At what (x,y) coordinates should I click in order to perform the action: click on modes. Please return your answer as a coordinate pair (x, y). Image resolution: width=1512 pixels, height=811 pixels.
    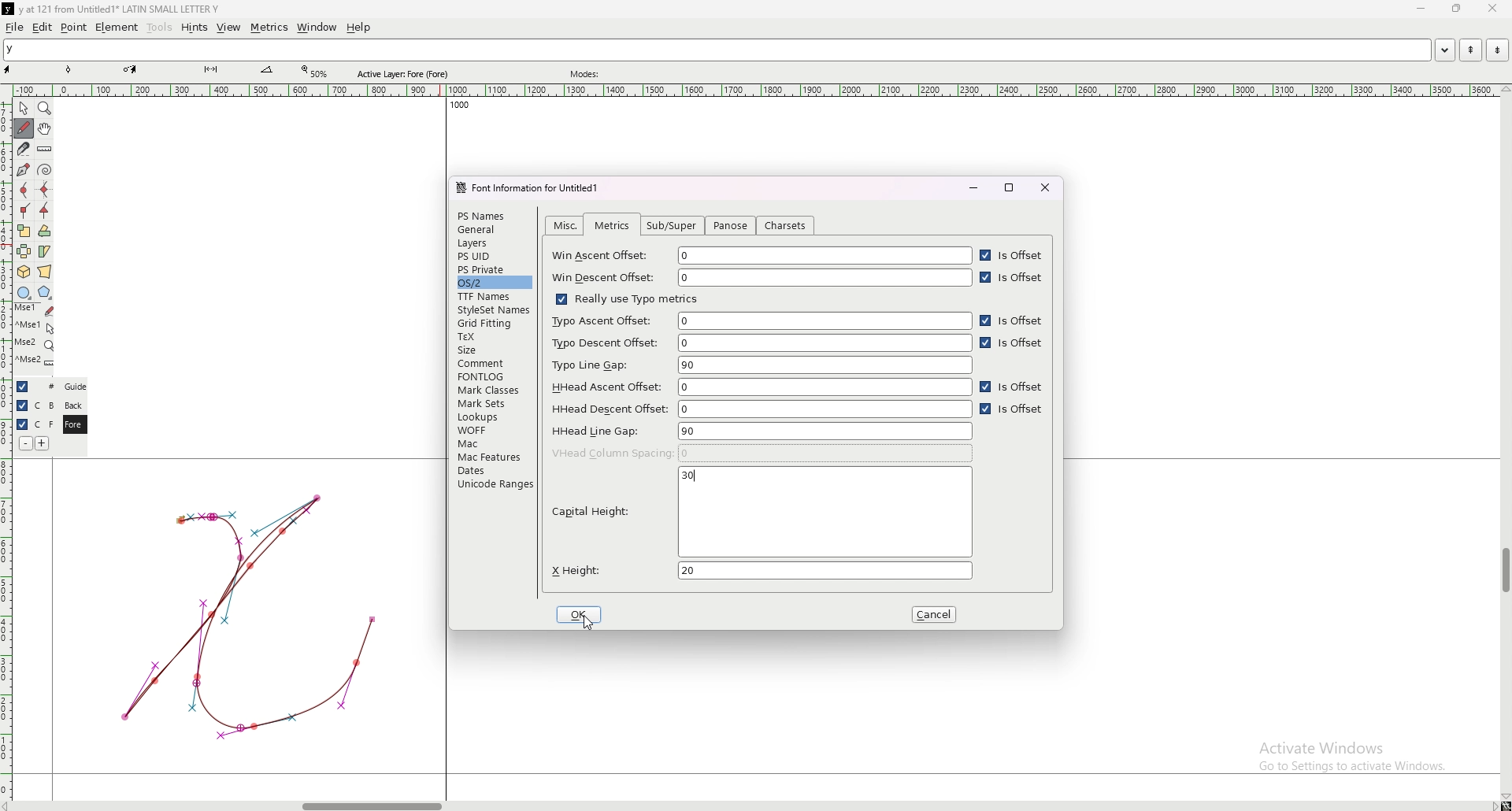
    Looking at the image, I should click on (587, 74).